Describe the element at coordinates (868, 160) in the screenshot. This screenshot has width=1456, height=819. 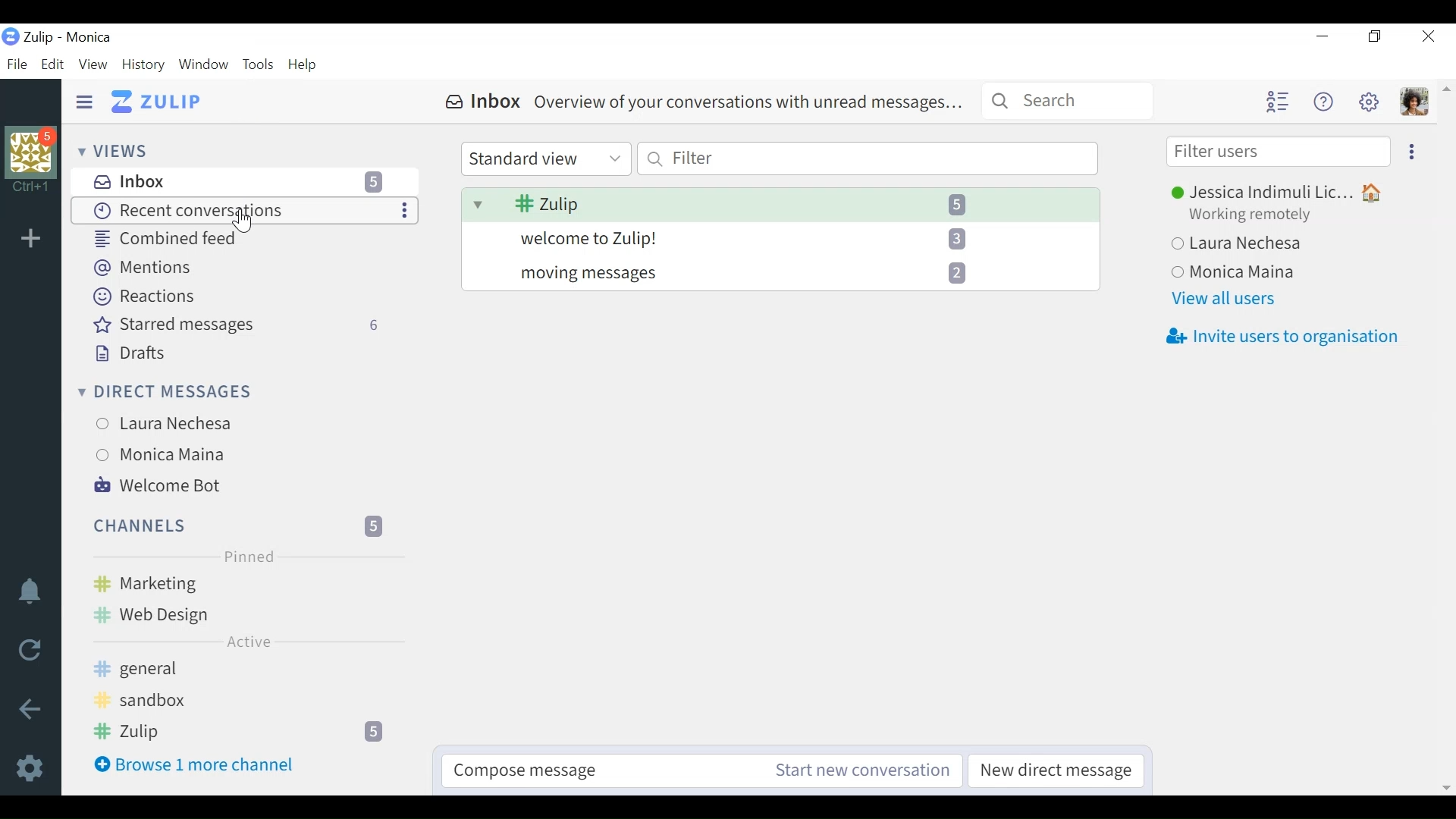
I see `Filter` at that location.